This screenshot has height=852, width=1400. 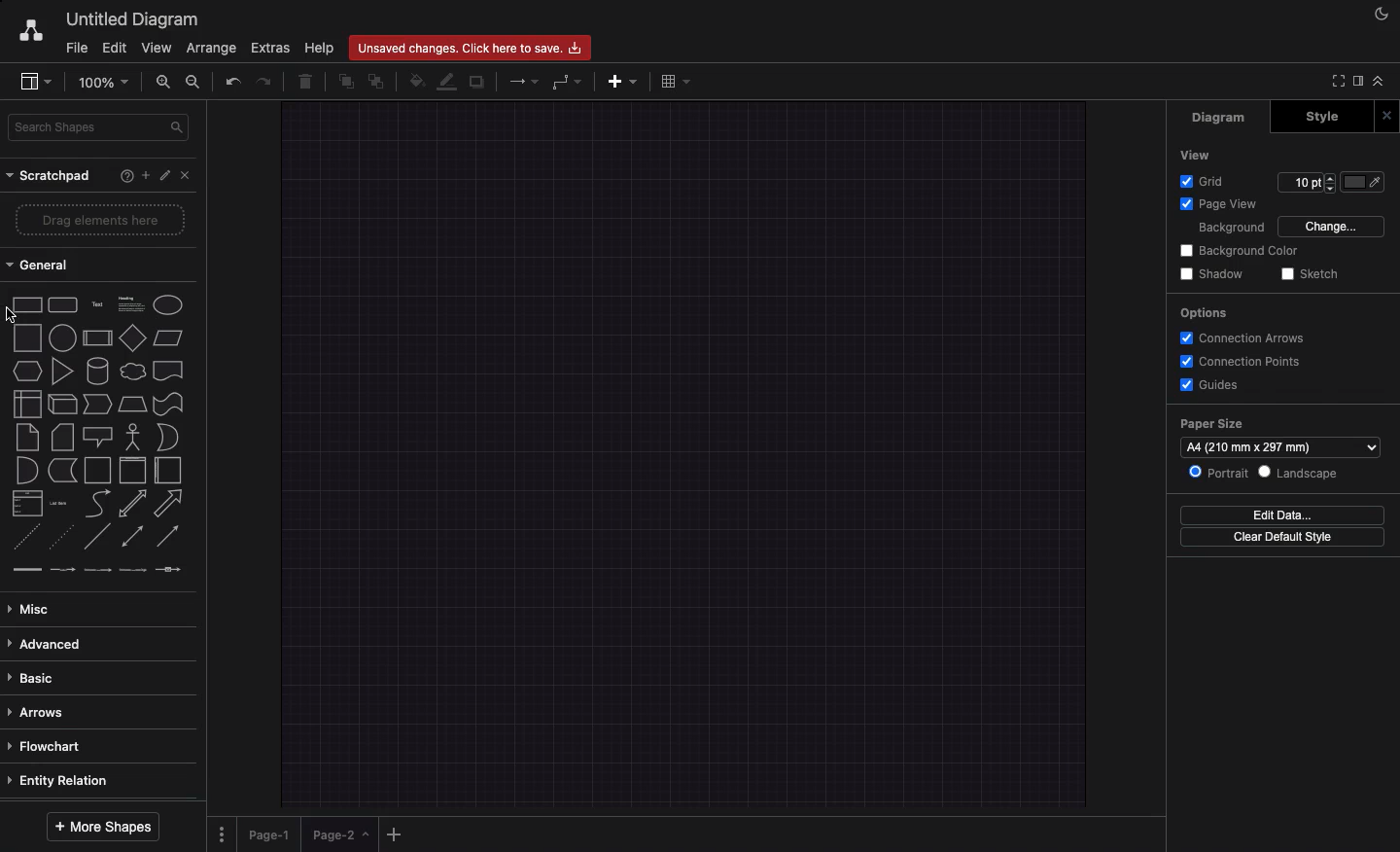 What do you see at coordinates (231, 80) in the screenshot?
I see `Undo` at bounding box center [231, 80].